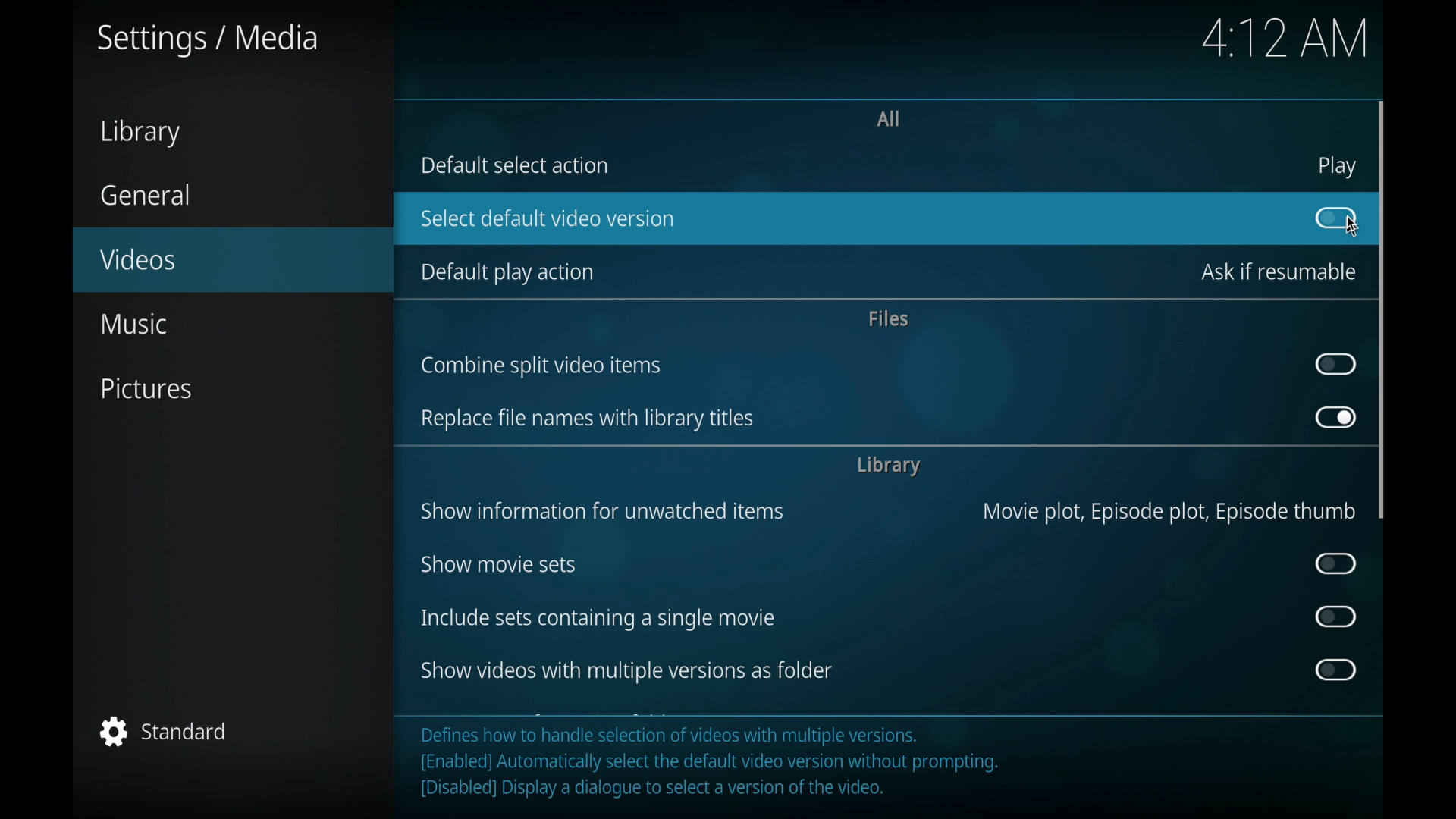 The height and width of the screenshot is (819, 1456). I want to click on toggle button, so click(1338, 670).